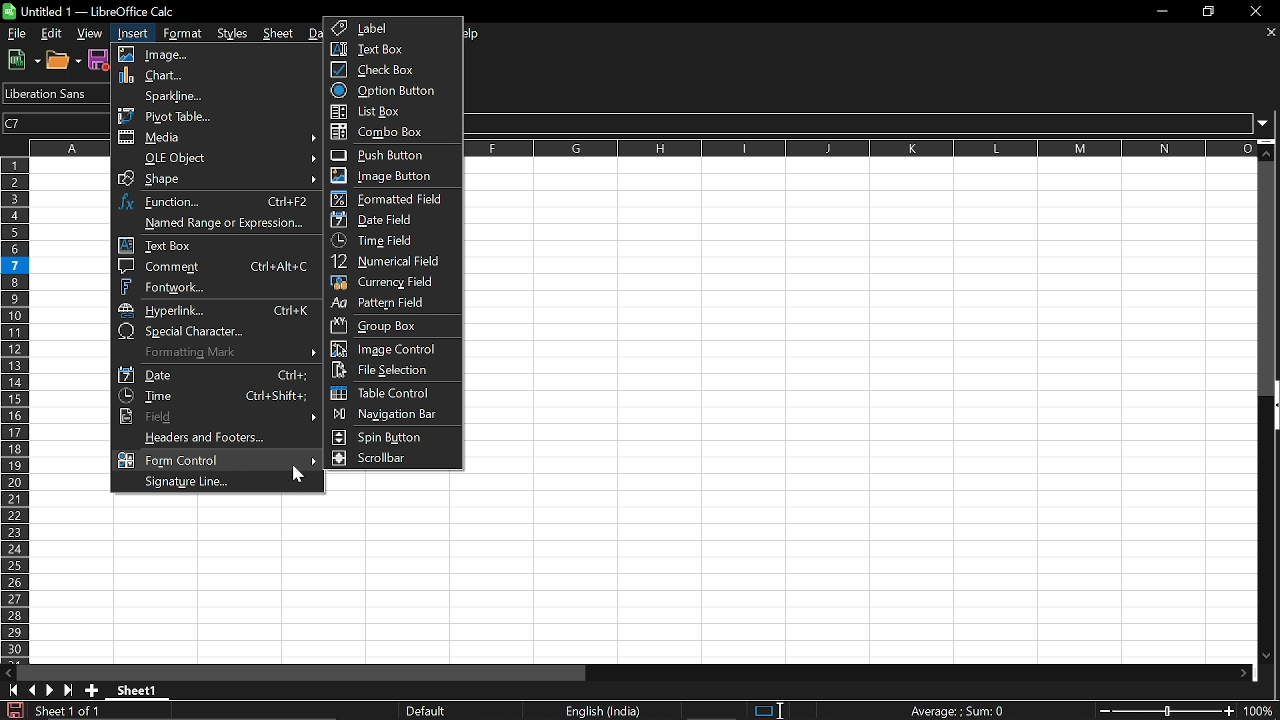 The height and width of the screenshot is (720, 1280). Describe the element at coordinates (392, 349) in the screenshot. I see `Image control` at that location.